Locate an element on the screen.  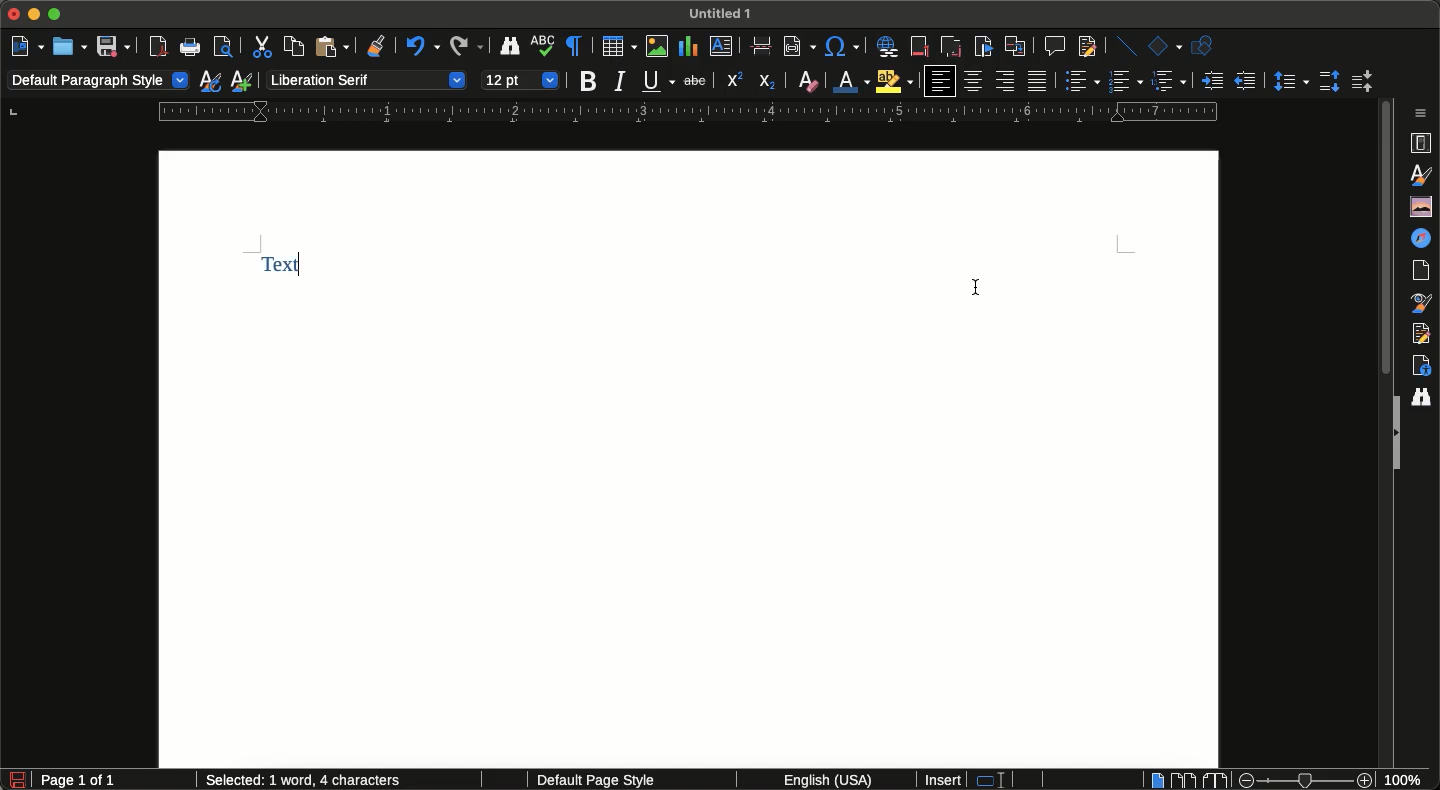
Paragraph style is located at coordinates (99, 82).